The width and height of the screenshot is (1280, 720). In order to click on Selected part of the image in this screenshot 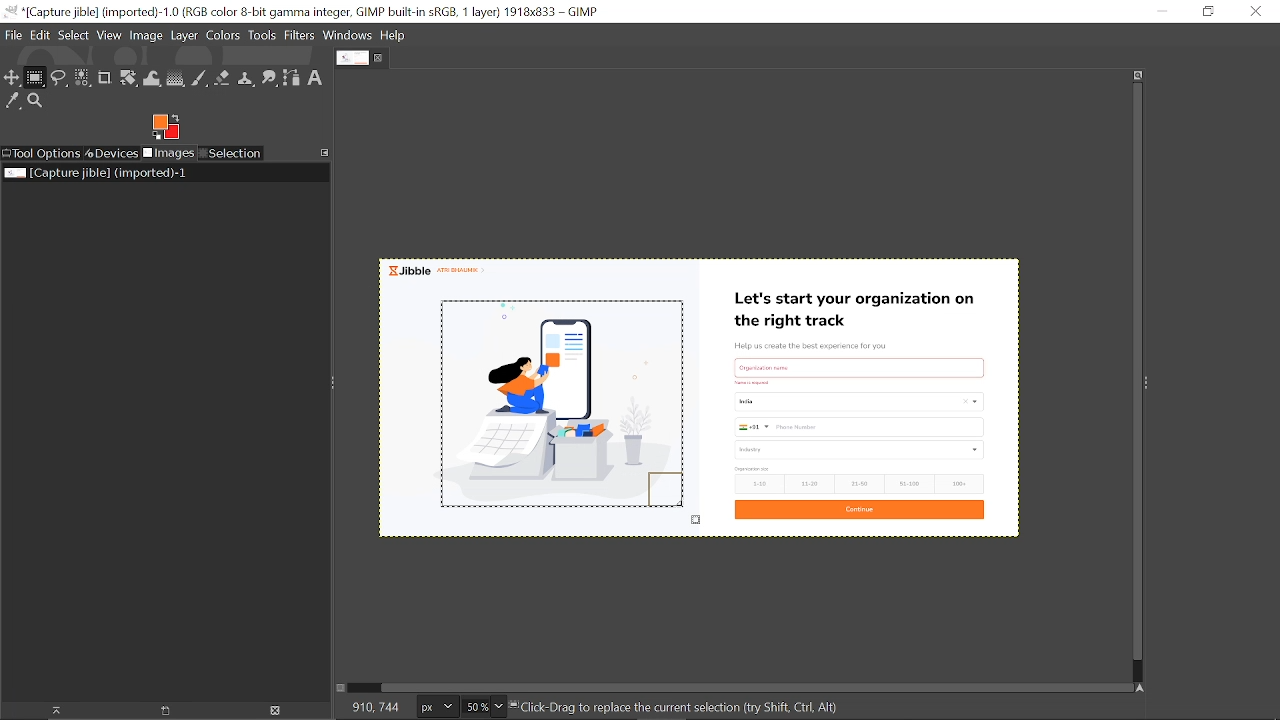, I will do `click(553, 410)`.